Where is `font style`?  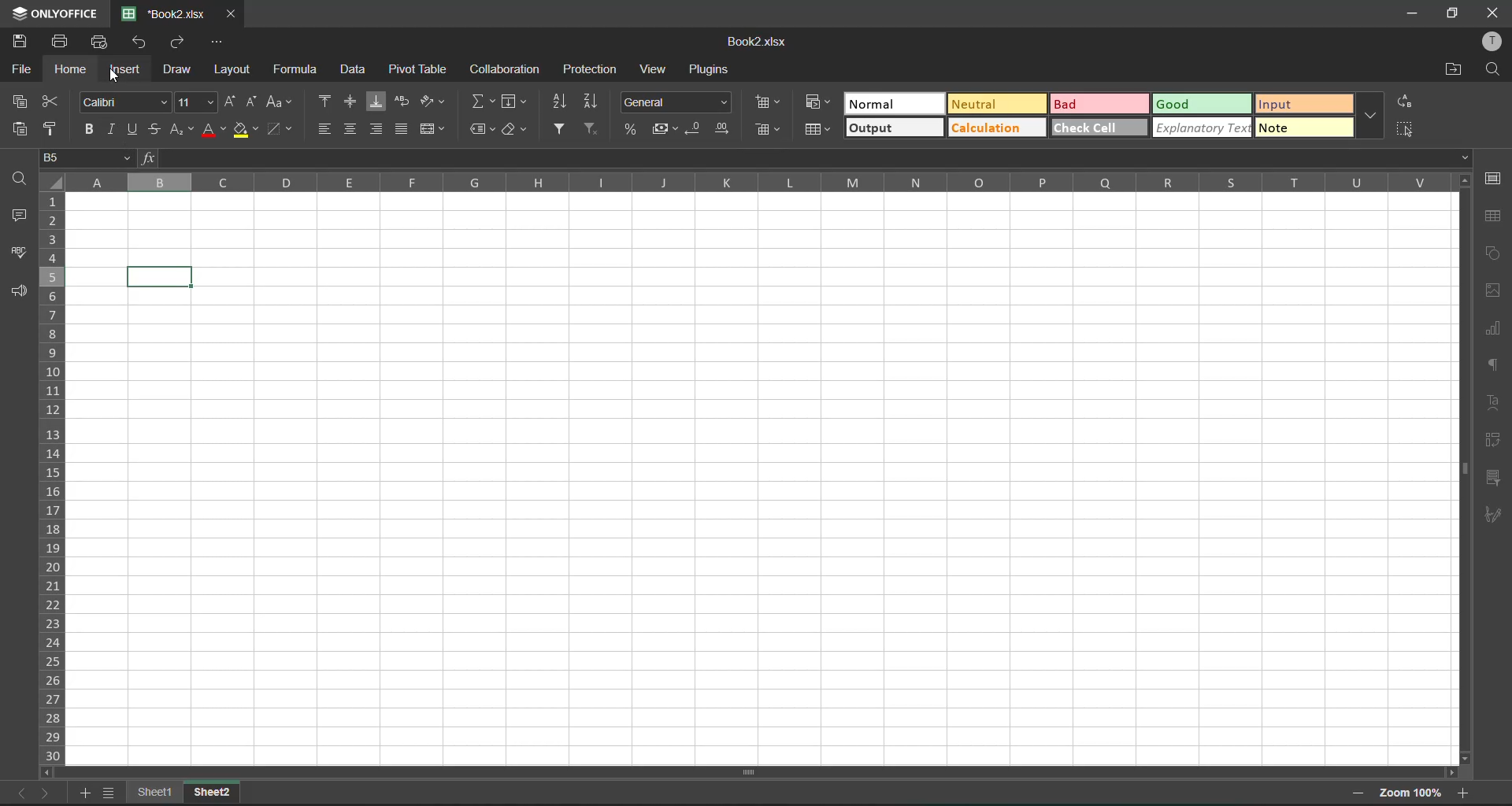 font style is located at coordinates (121, 100).